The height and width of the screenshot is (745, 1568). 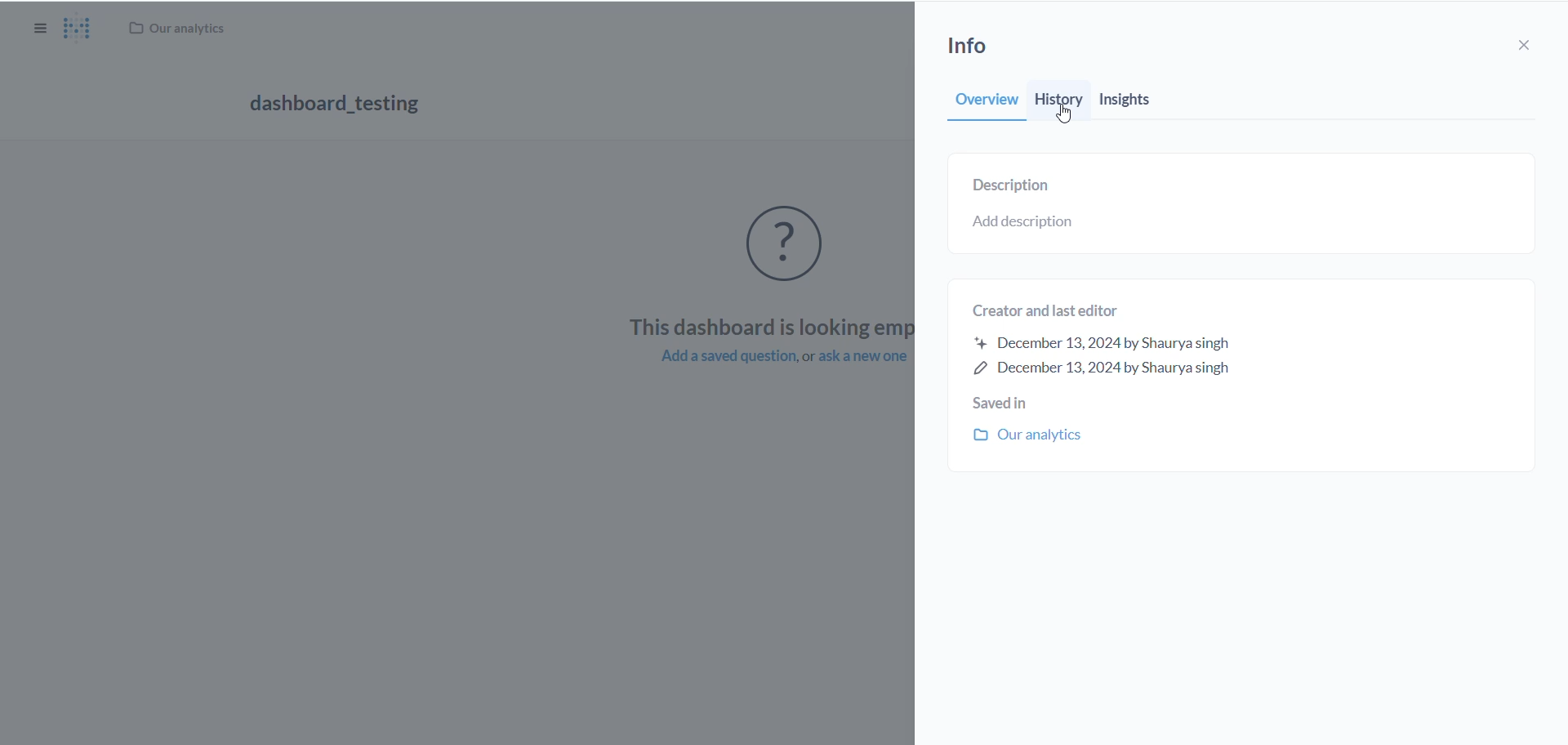 What do you see at coordinates (765, 326) in the screenshot?
I see `This dashboard is looking empty.` at bounding box center [765, 326].